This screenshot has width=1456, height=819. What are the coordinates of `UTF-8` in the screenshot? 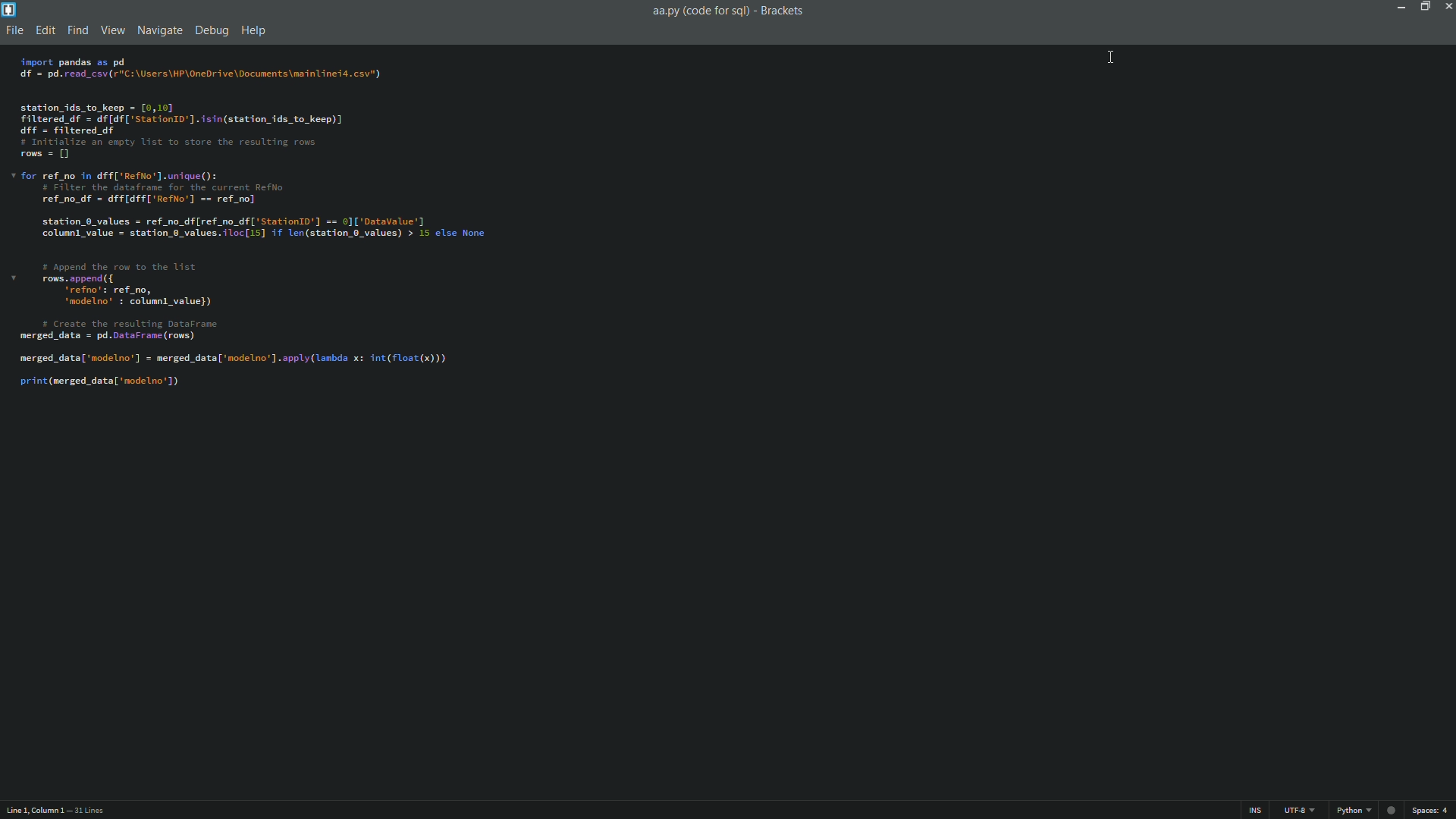 It's located at (1299, 810).